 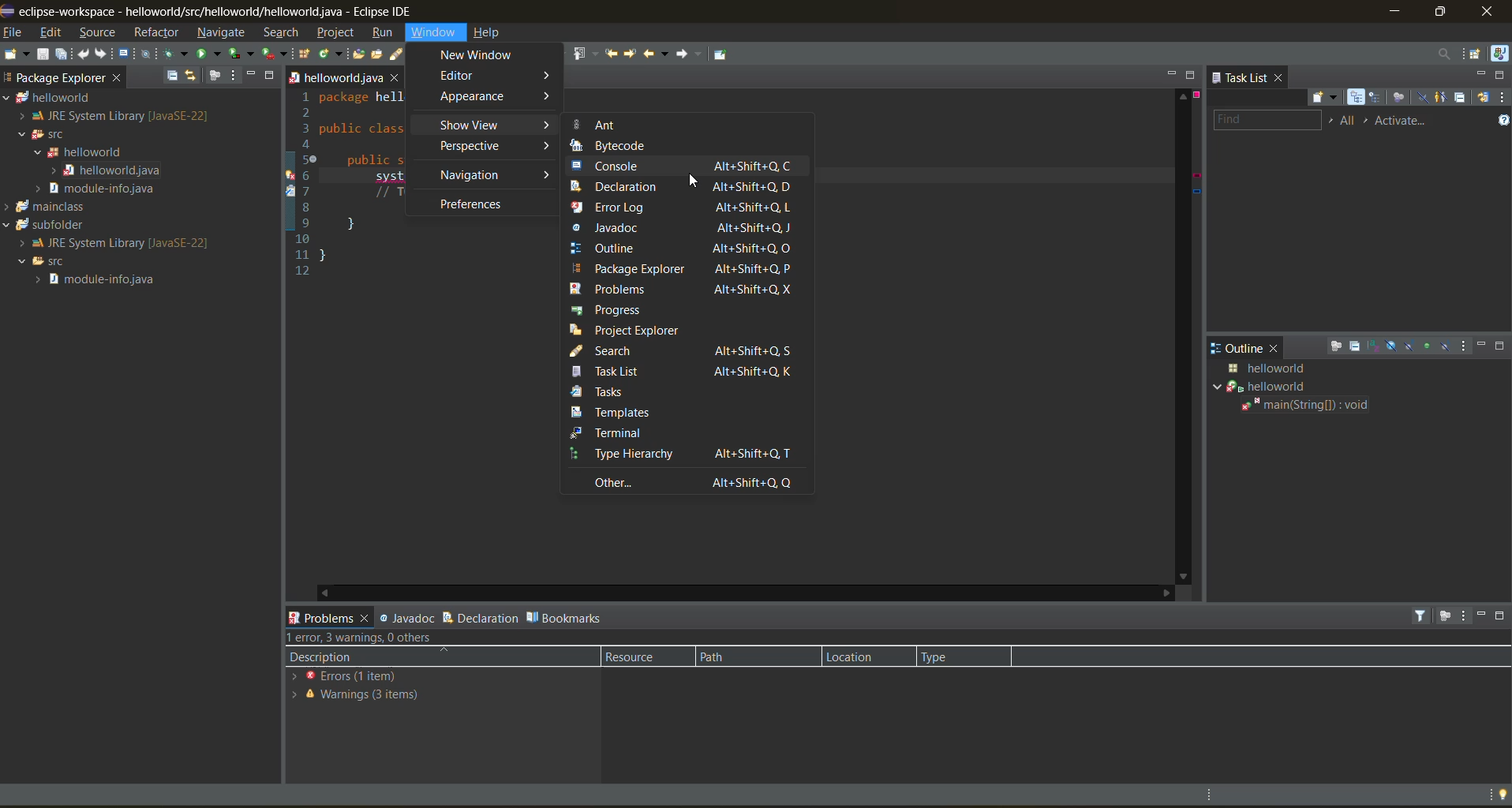 What do you see at coordinates (1443, 98) in the screenshot?
I see `show only my tasks` at bounding box center [1443, 98].